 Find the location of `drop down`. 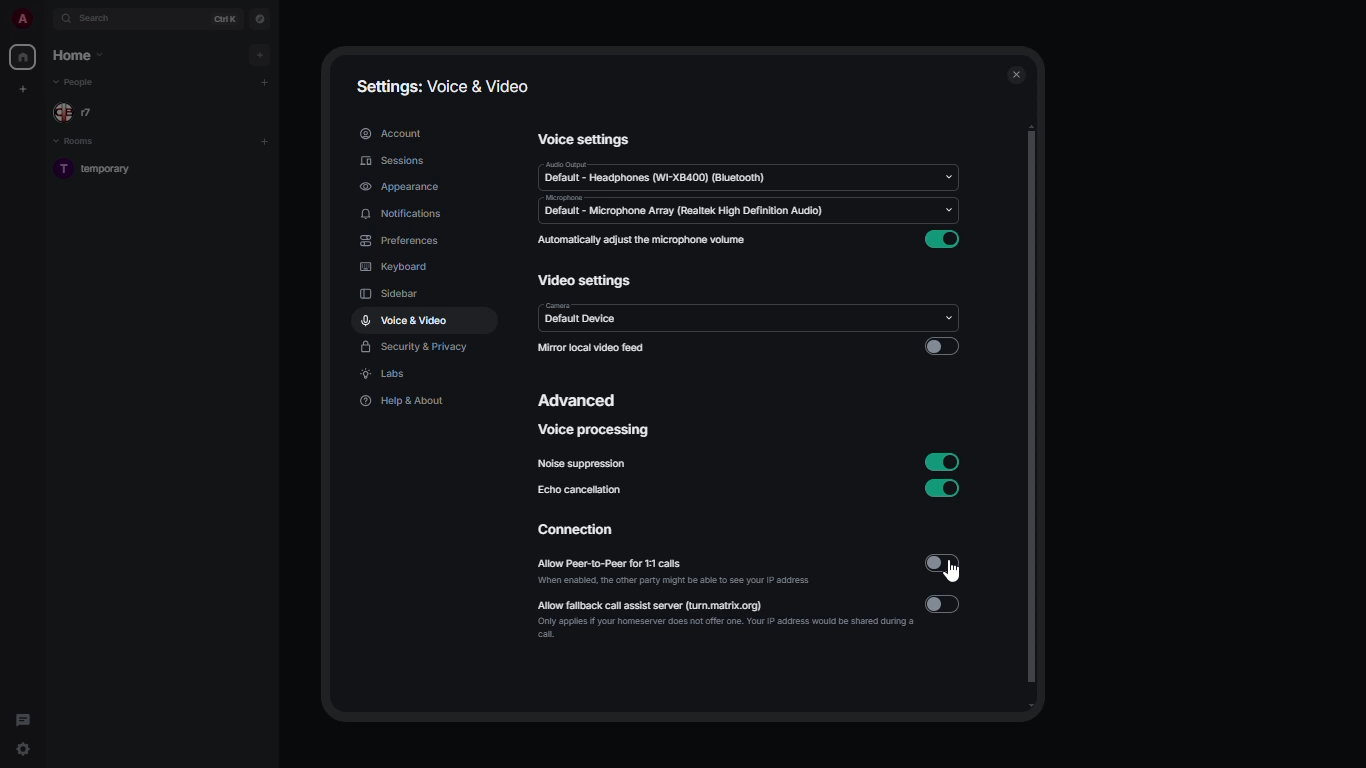

drop down is located at coordinates (949, 313).